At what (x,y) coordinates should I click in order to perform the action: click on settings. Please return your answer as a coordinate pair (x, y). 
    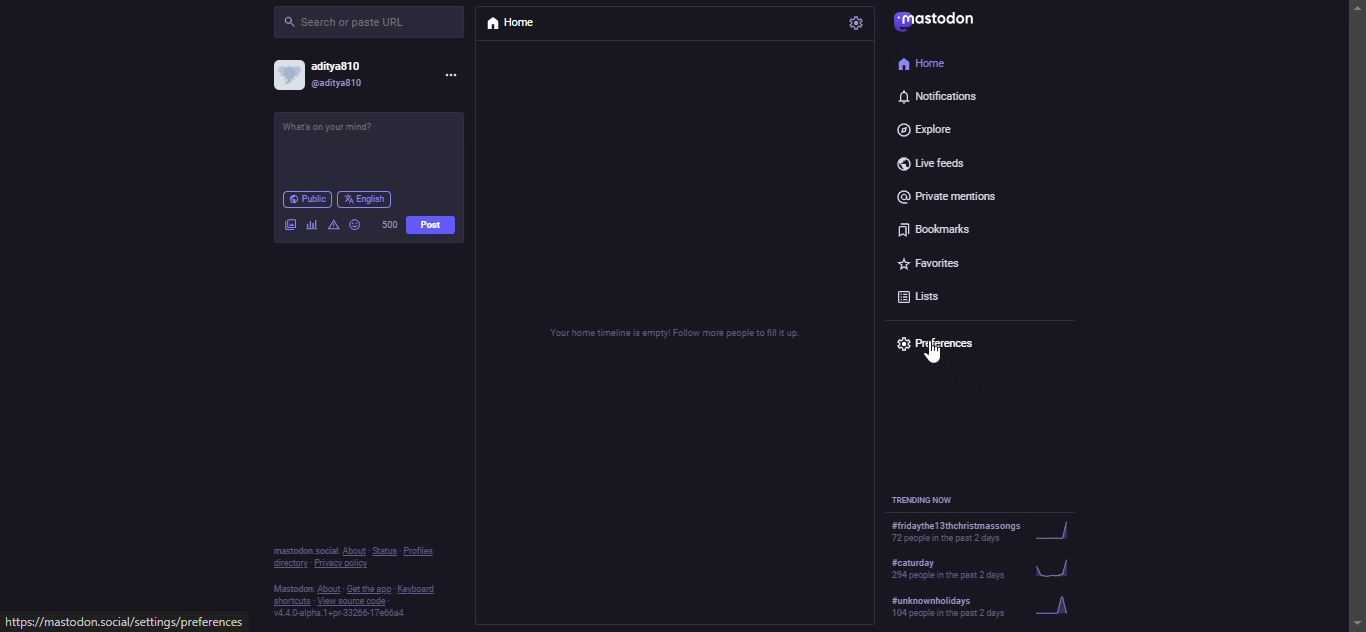
    Looking at the image, I should click on (856, 24).